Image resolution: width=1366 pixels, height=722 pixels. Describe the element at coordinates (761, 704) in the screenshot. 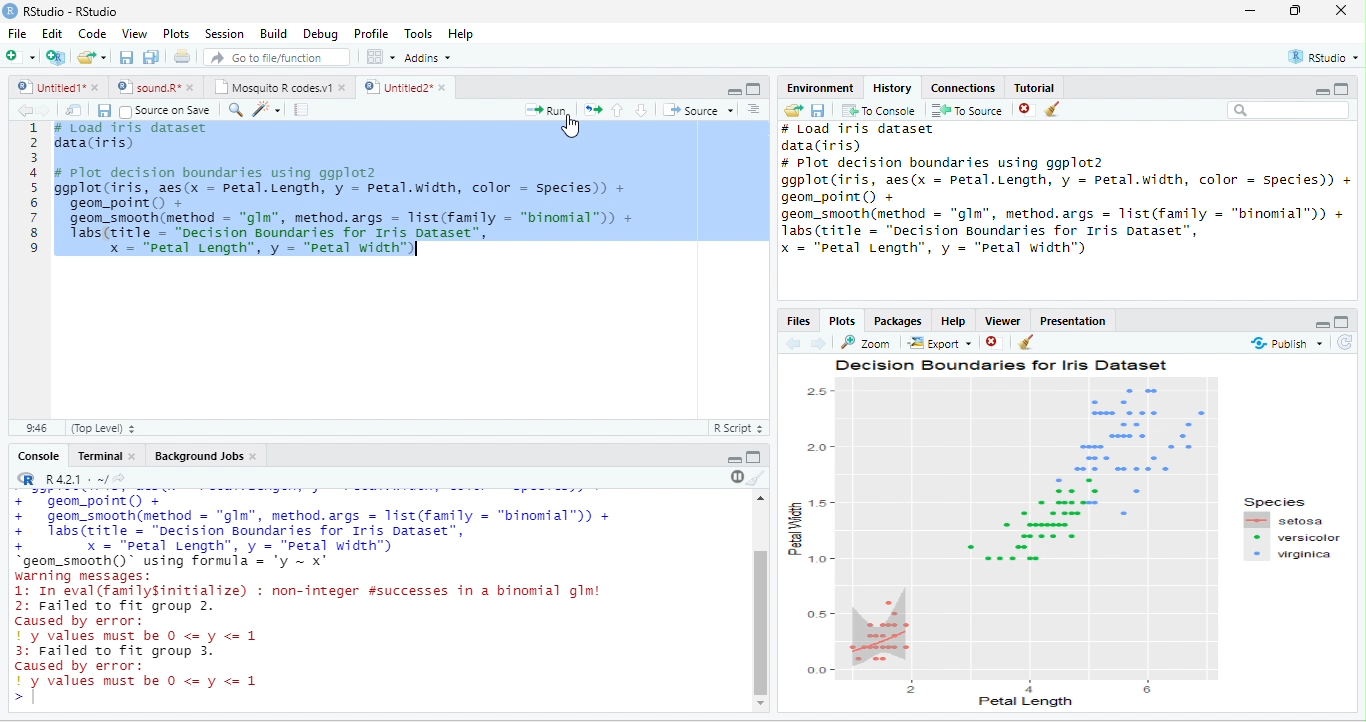

I see `scroll down` at that location.